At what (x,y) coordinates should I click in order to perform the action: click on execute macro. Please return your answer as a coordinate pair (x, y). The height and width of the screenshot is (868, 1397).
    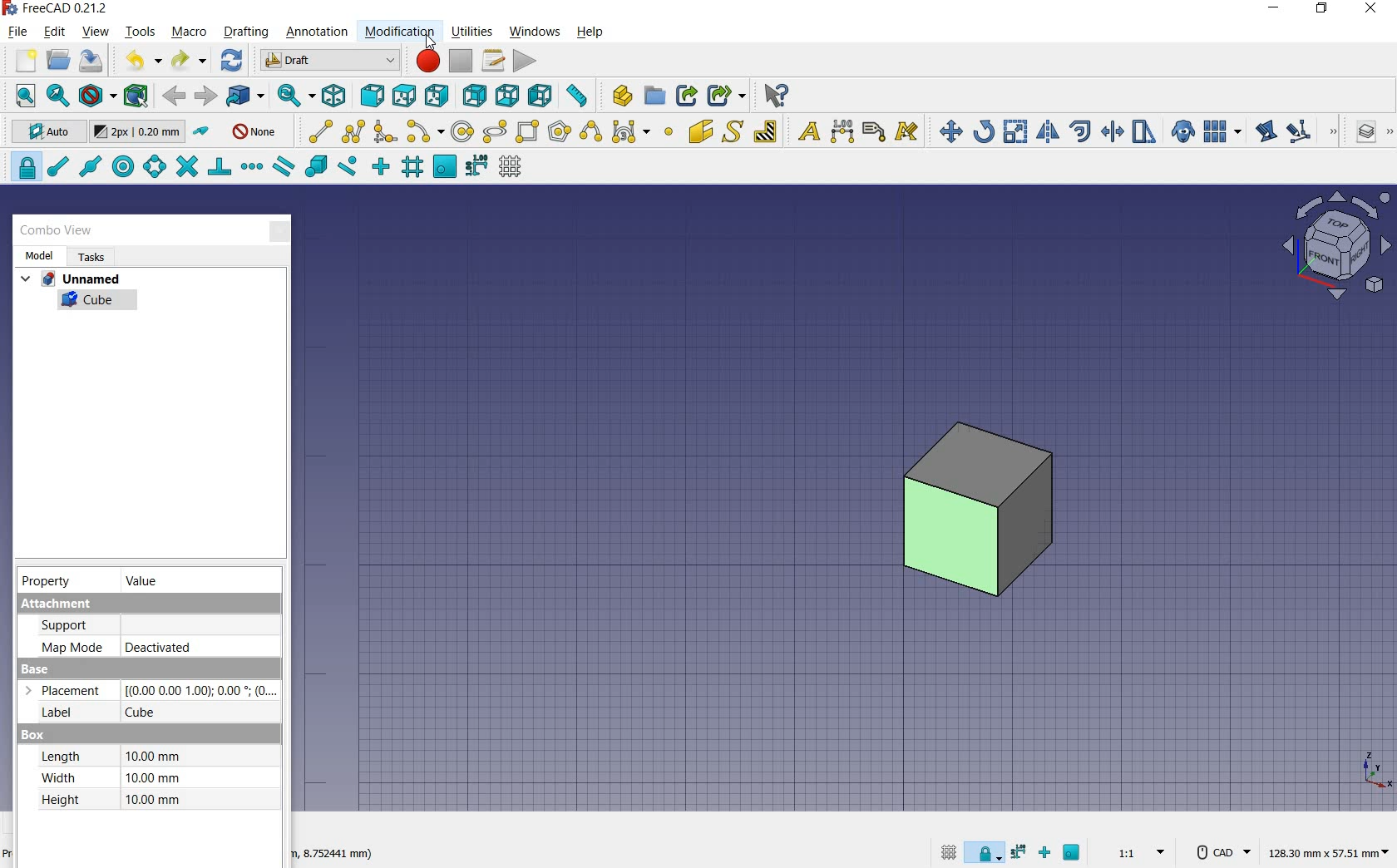
    Looking at the image, I should click on (524, 62).